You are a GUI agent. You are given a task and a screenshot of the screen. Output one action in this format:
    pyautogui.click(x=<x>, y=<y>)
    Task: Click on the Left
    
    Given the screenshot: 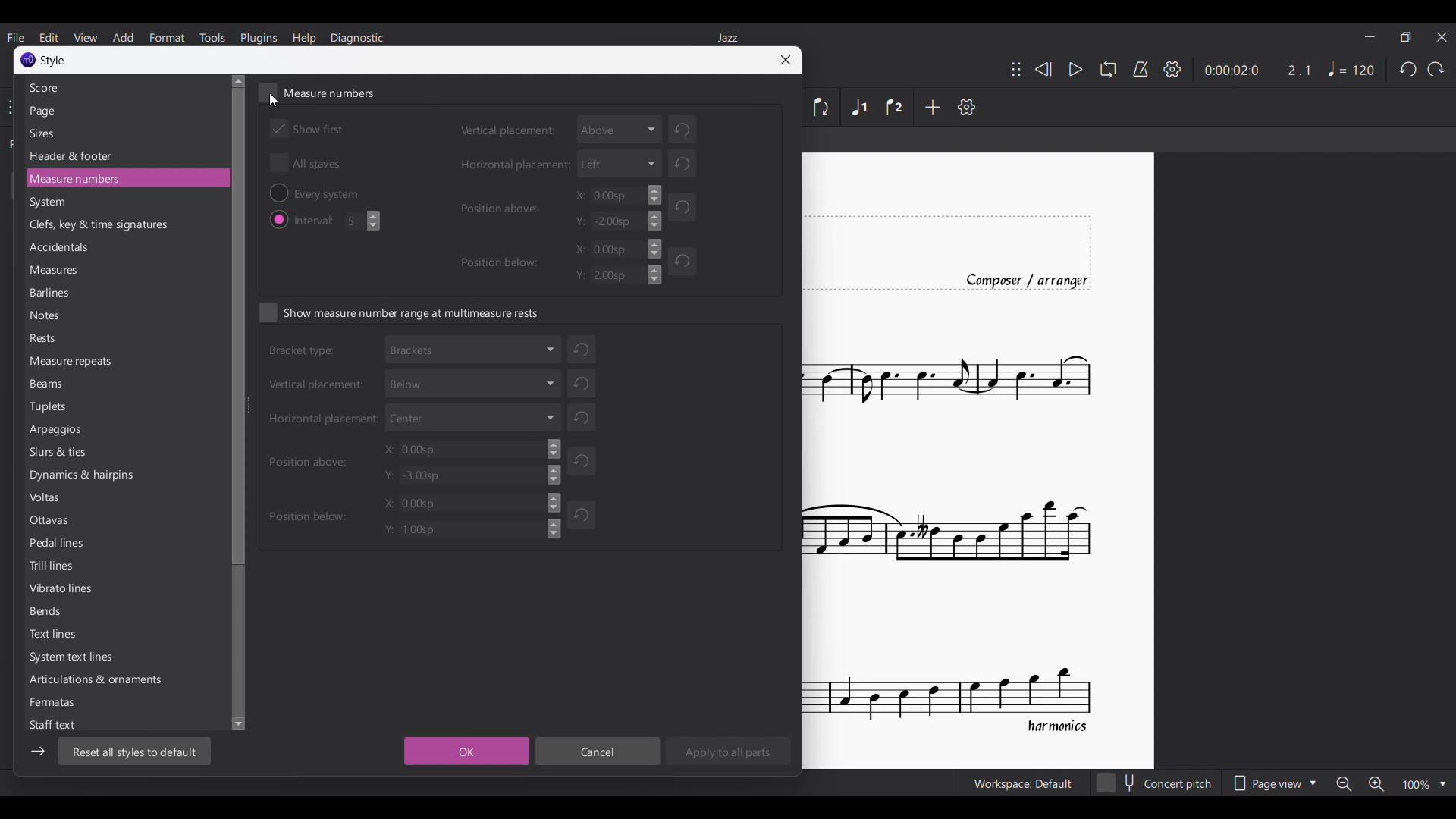 What is the action you would take?
    pyautogui.click(x=619, y=164)
    